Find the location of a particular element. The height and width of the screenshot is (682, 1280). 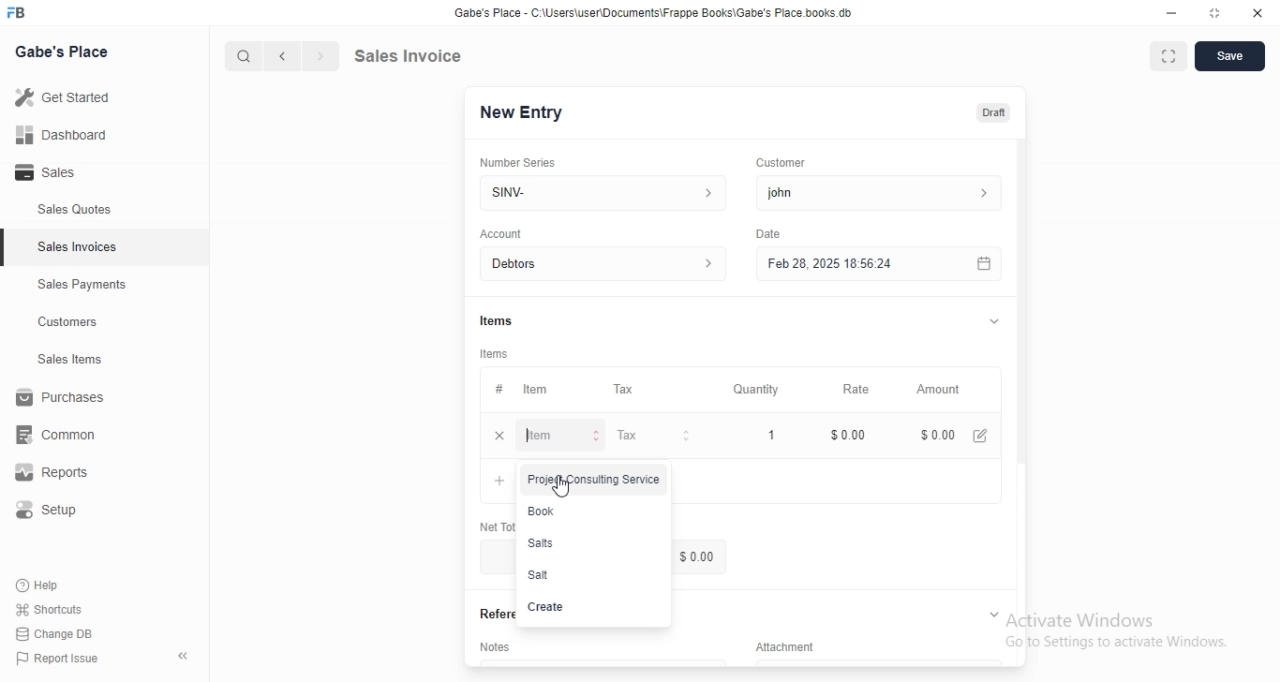

Create is located at coordinates (580, 608).